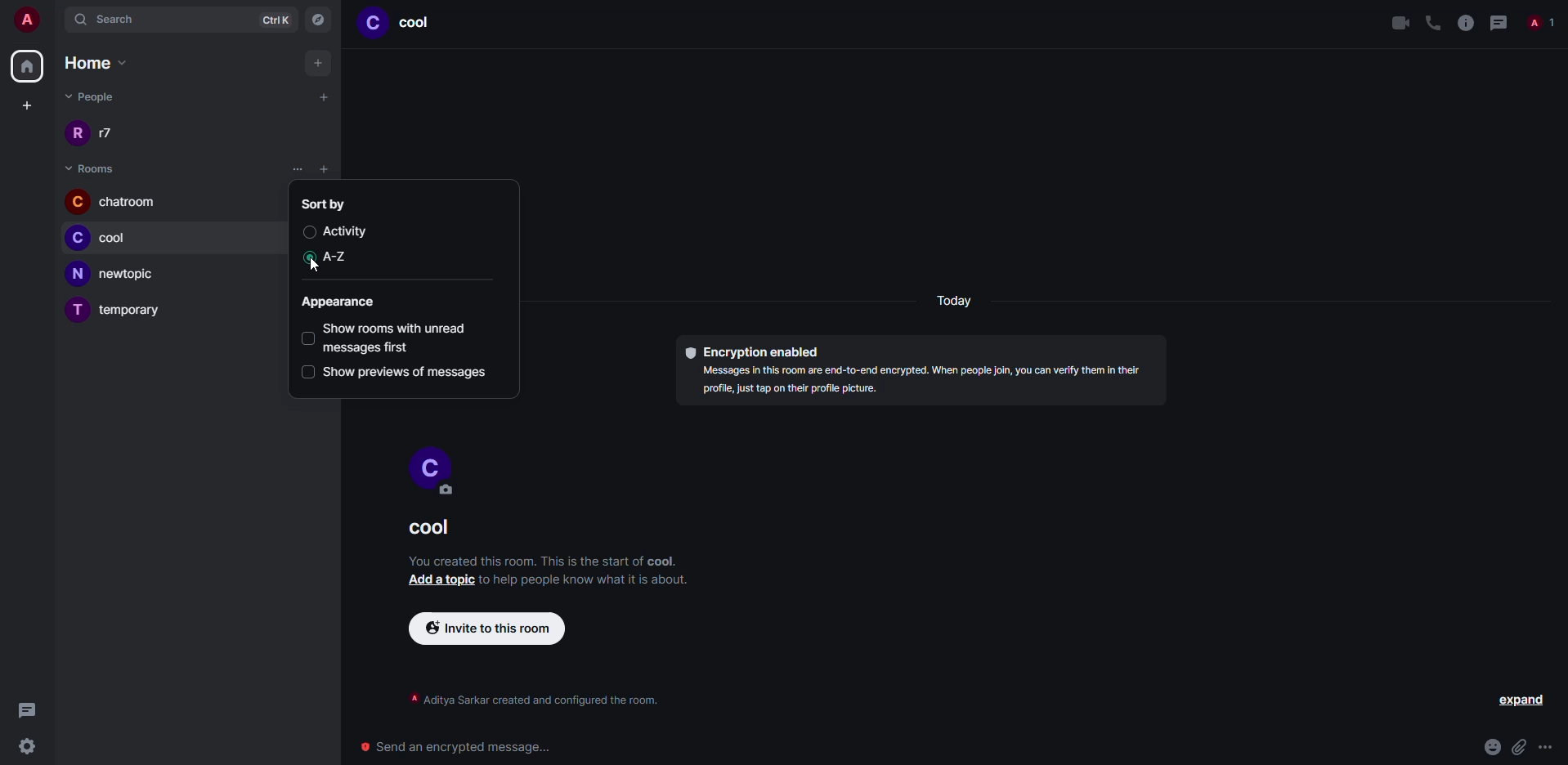 The image size is (1568, 765). I want to click on threads, so click(20, 710).